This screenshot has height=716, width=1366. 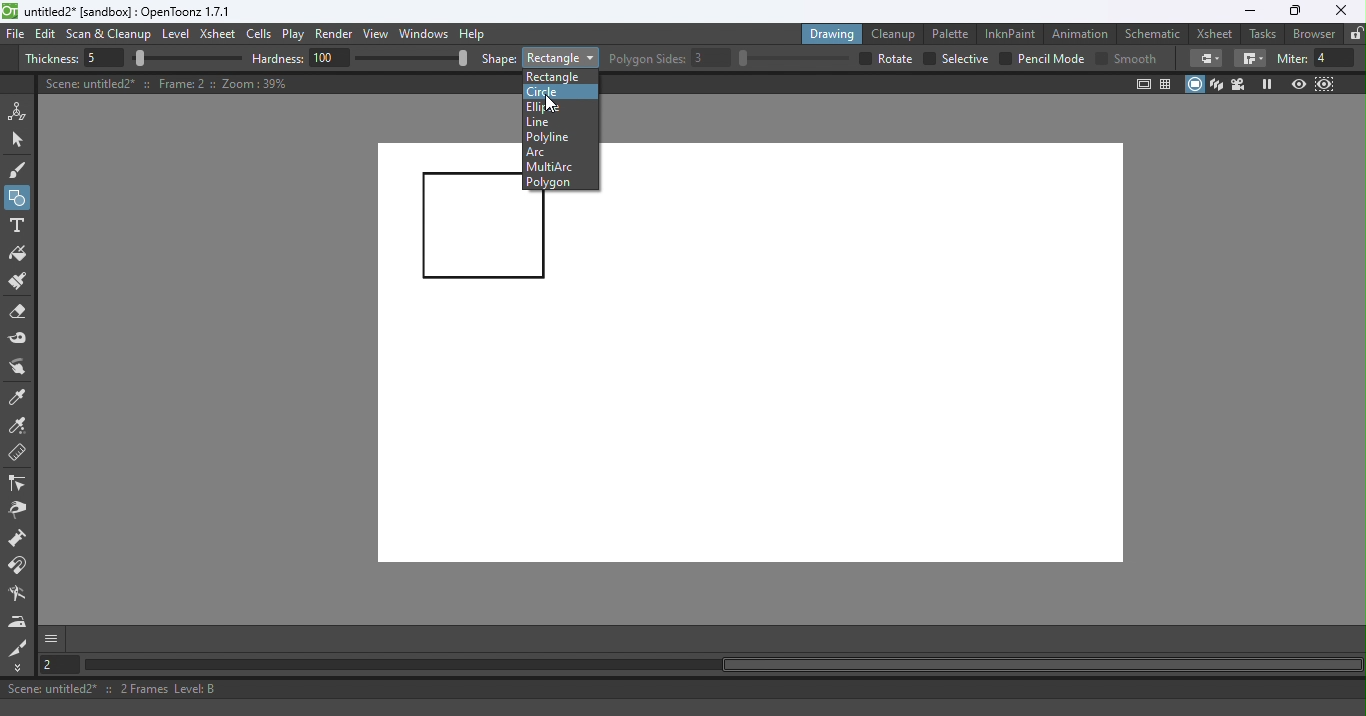 What do you see at coordinates (1291, 58) in the screenshot?
I see `miter` at bounding box center [1291, 58].